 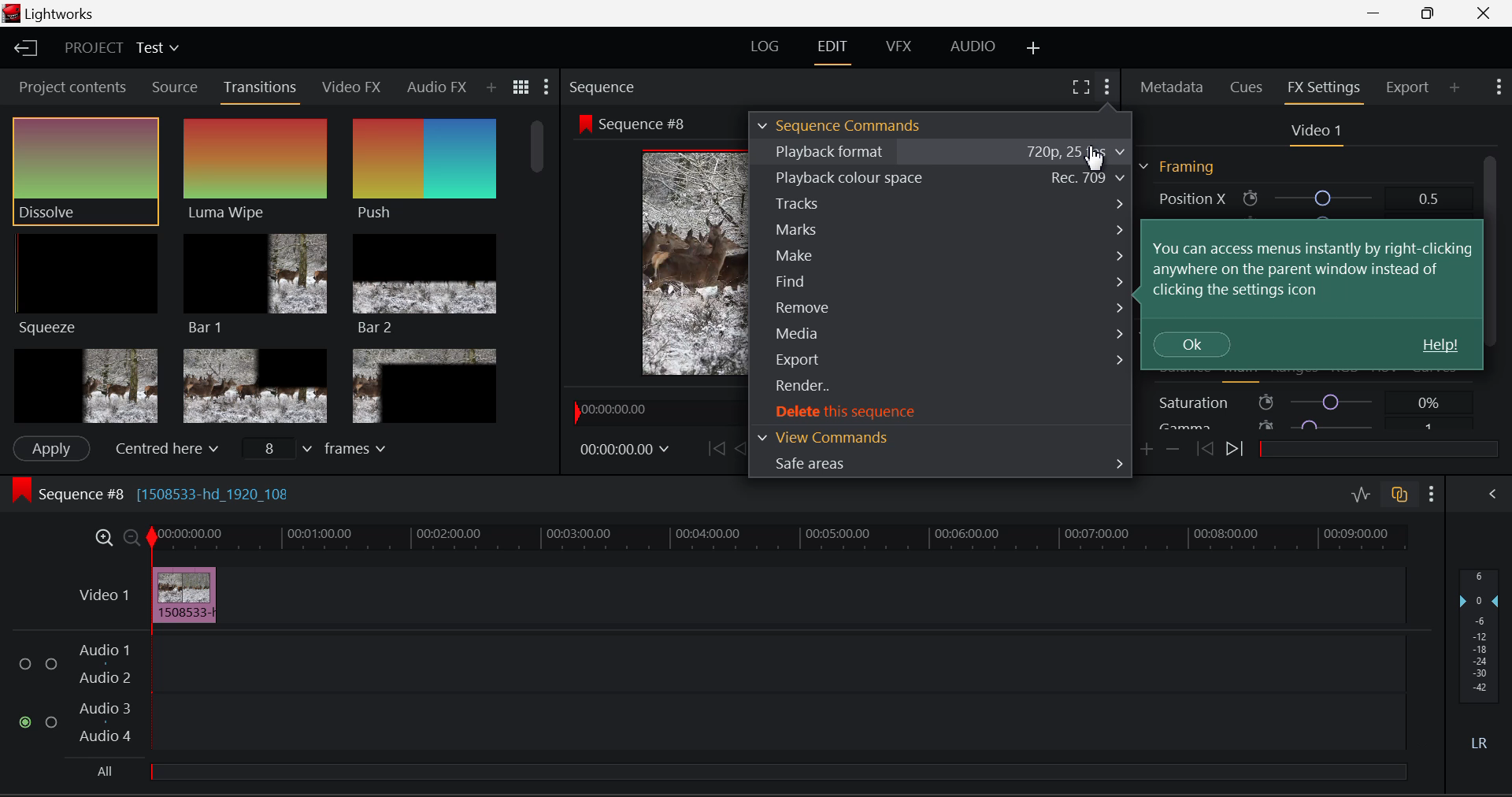 I want to click on Sequence #8 [1508533-hd_1920_108, so click(x=198, y=493).